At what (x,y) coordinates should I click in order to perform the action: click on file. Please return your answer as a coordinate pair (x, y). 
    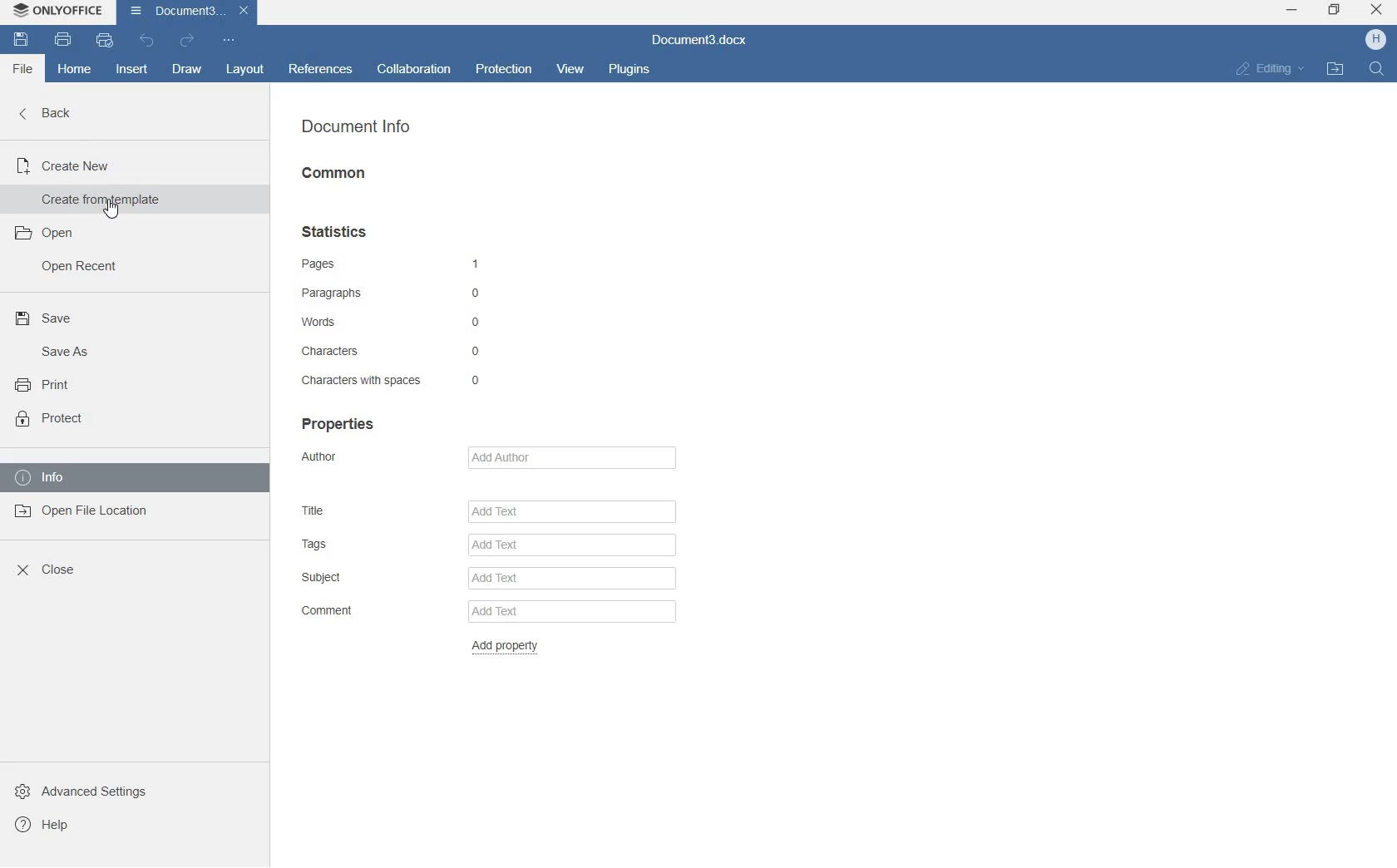
    Looking at the image, I should click on (23, 69).